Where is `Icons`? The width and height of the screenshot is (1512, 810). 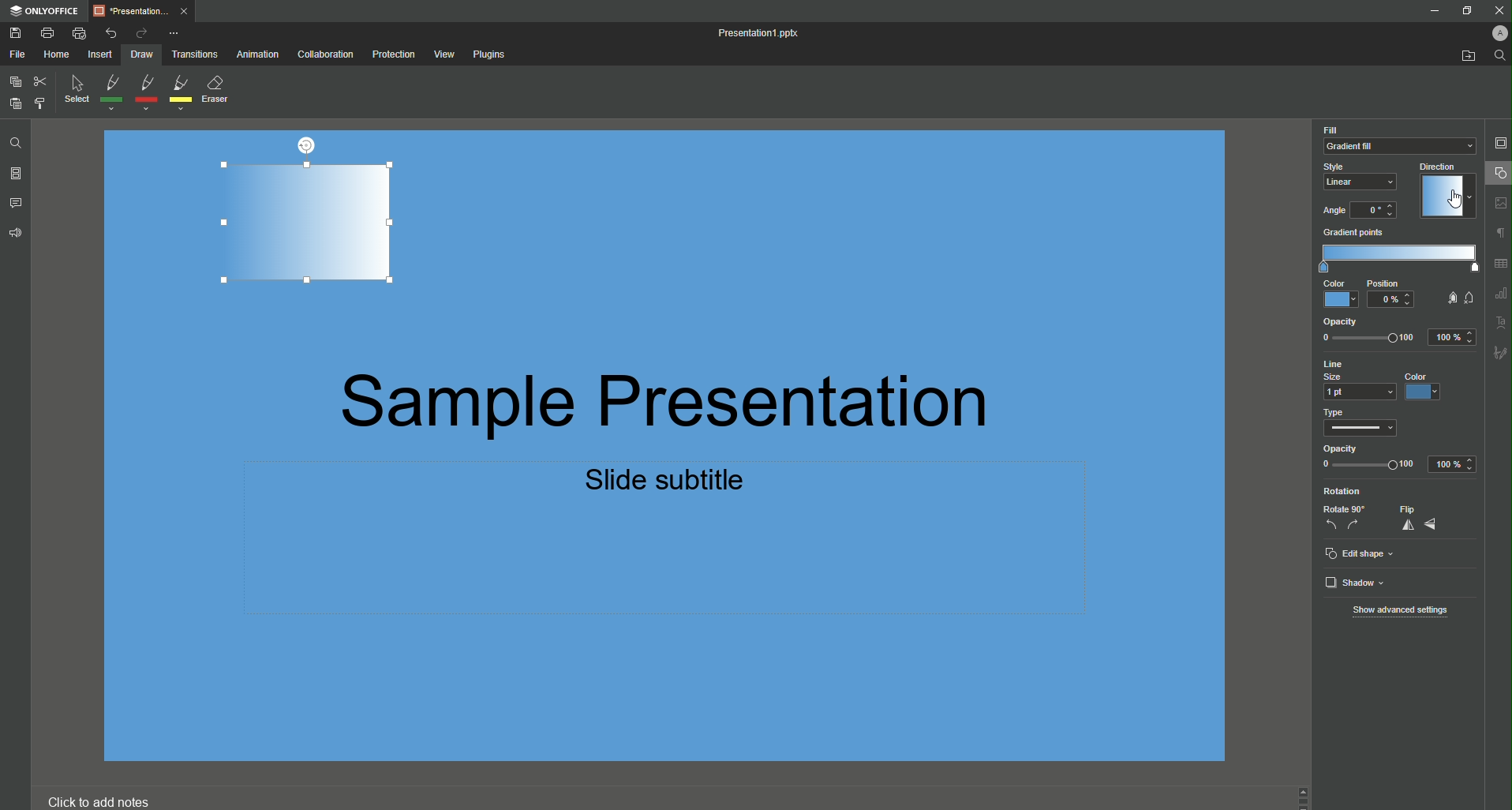 Icons is located at coordinates (1459, 294).